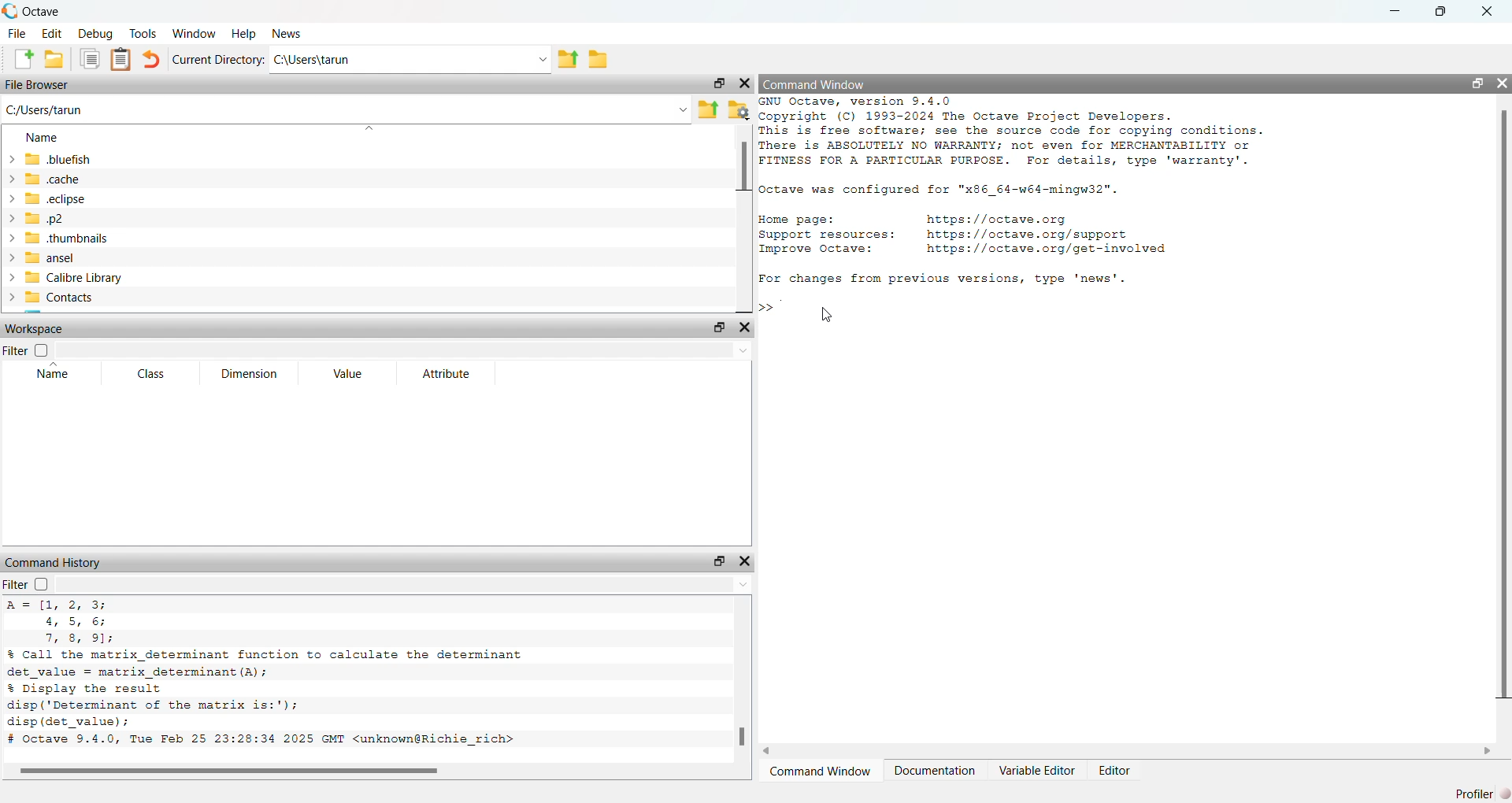 The image size is (1512, 803). I want to click on maximize, so click(1439, 12).